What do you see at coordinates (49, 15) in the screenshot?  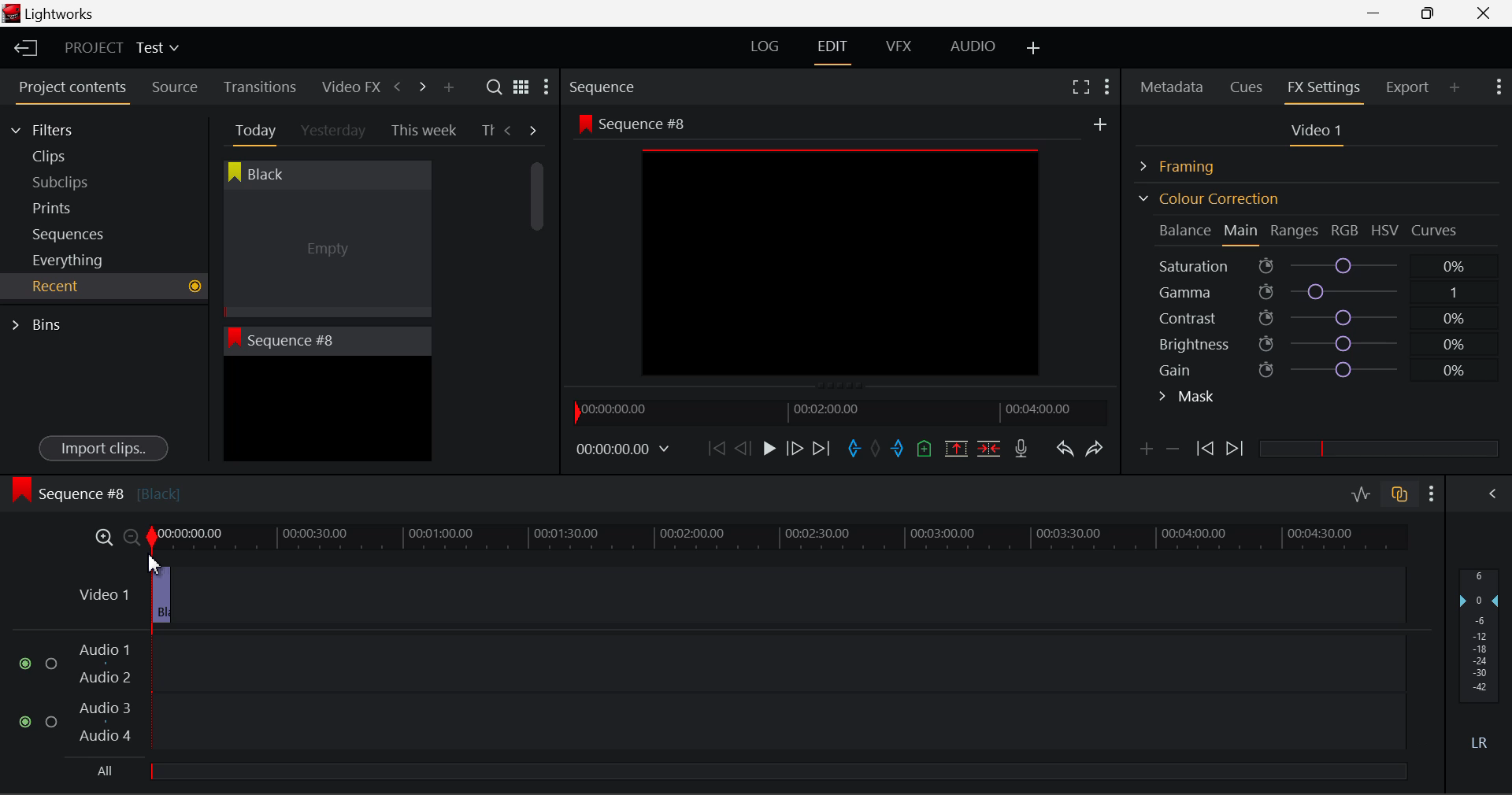 I see `Window Title` at bounding box center [49, 15].